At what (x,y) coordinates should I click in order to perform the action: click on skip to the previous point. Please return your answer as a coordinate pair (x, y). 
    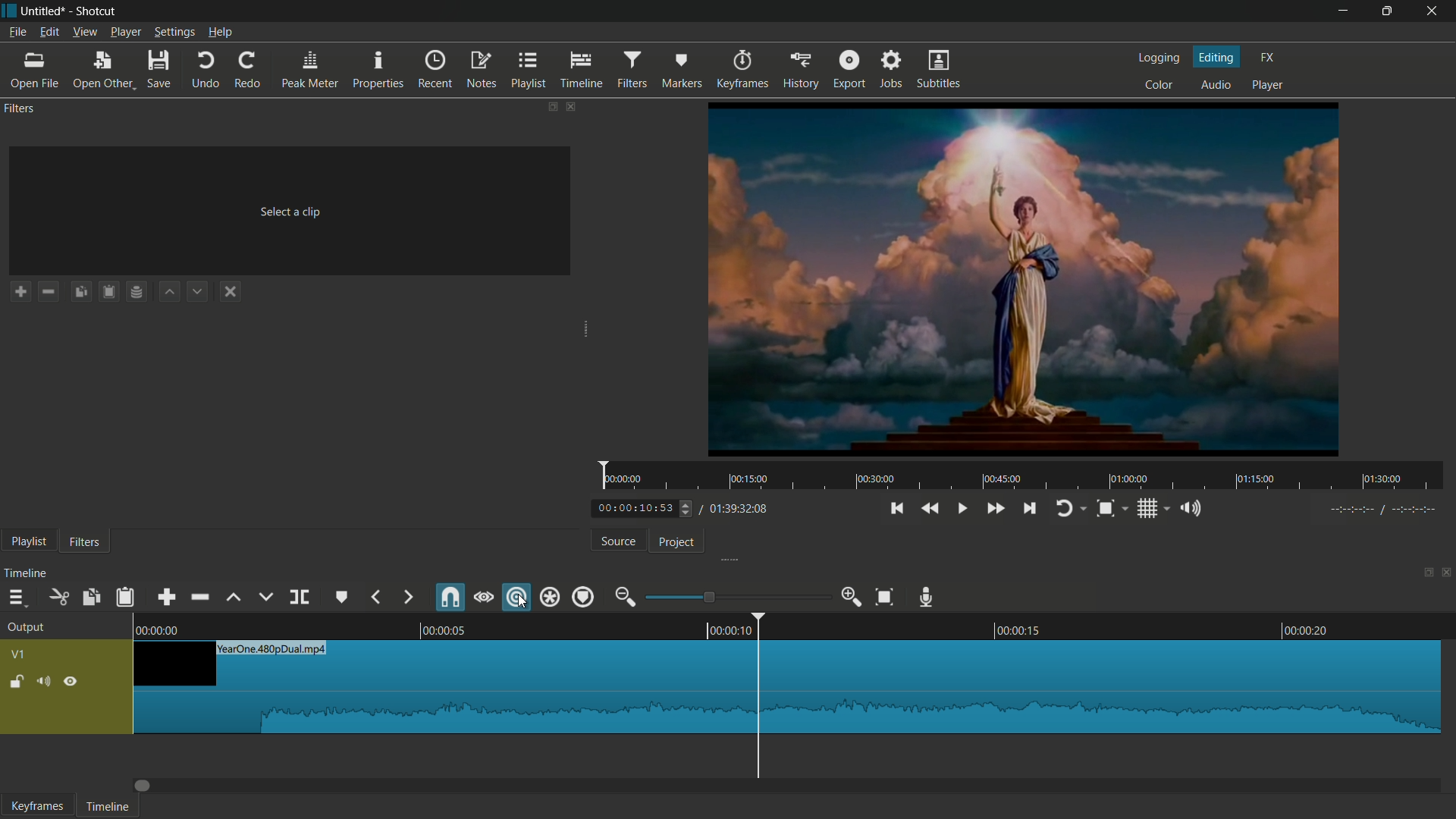
    Looking at the image, I should click on (896, 509).